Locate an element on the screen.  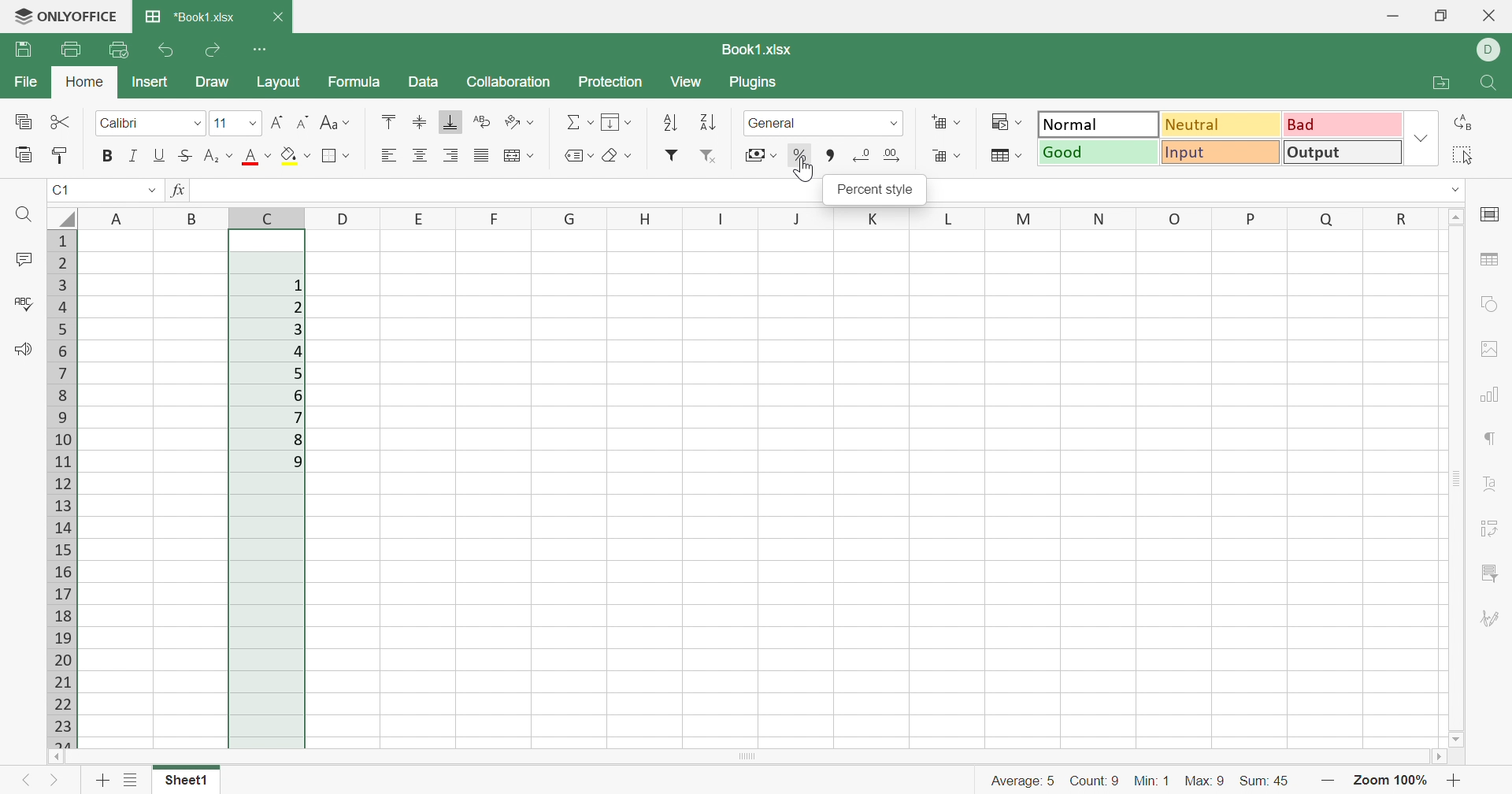
Underline is located at coordinates (159, 155).